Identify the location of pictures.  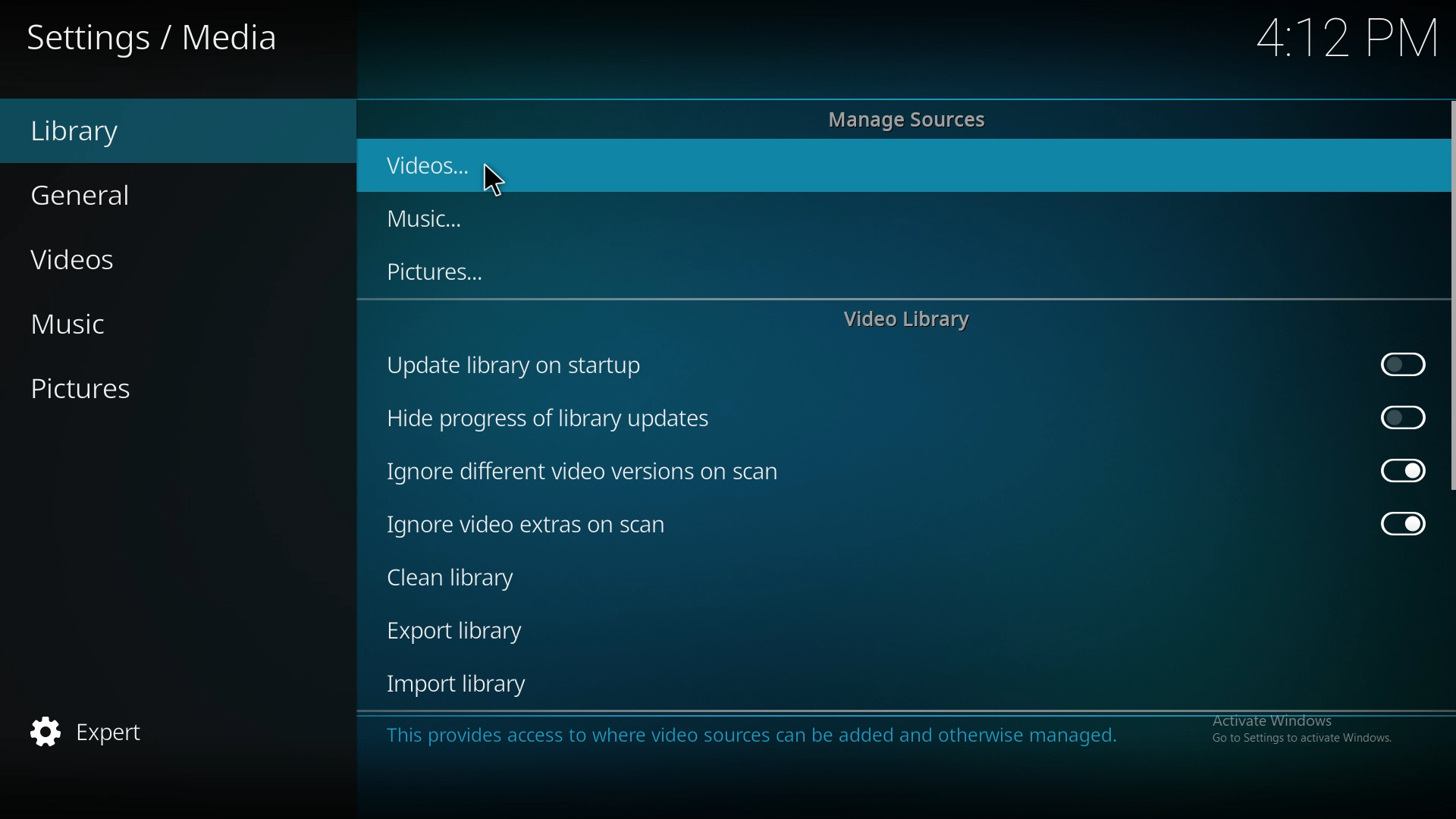
(123, 388).